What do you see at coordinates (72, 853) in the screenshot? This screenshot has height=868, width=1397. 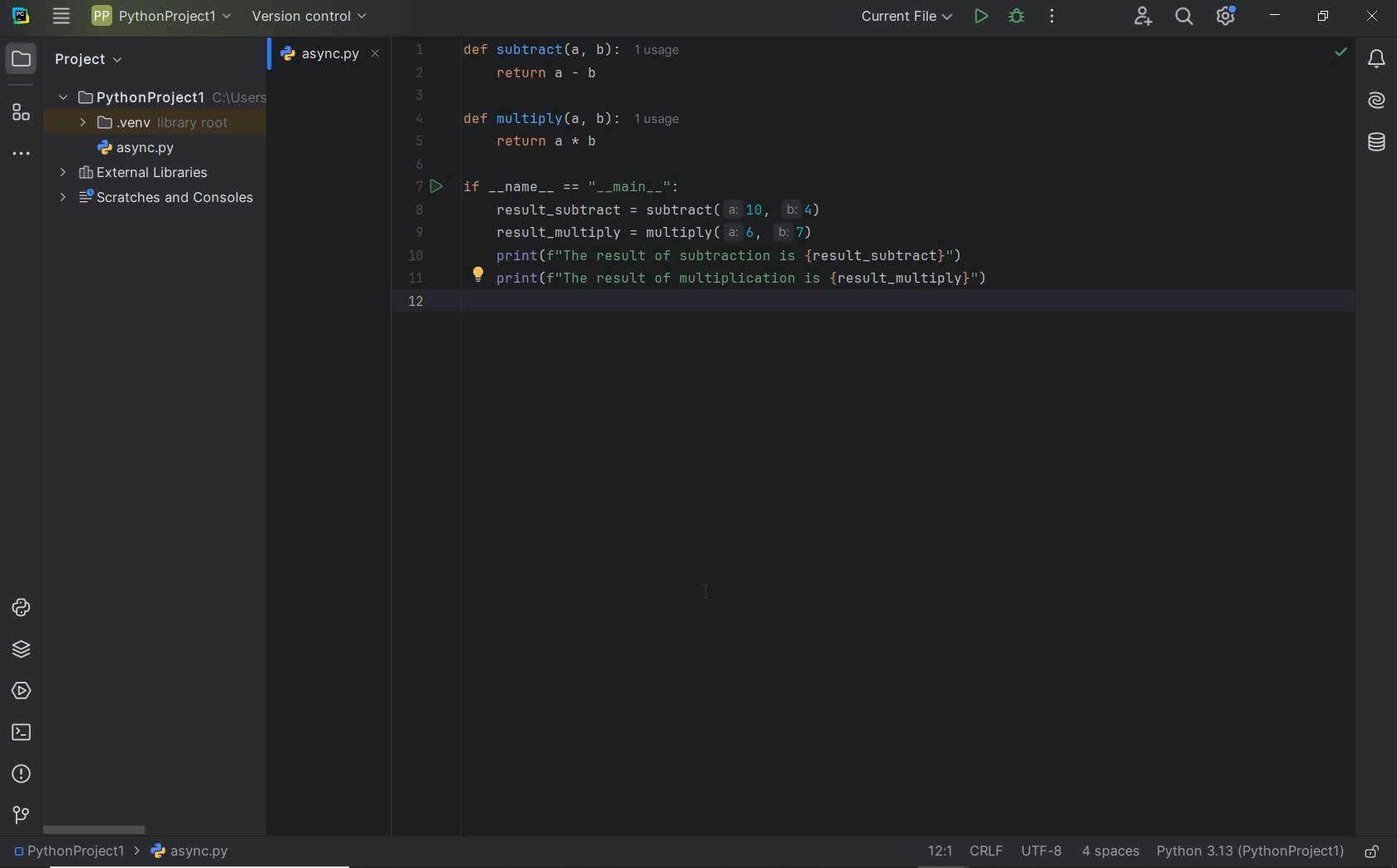 I see `project name` at bounding box center [72, 853].